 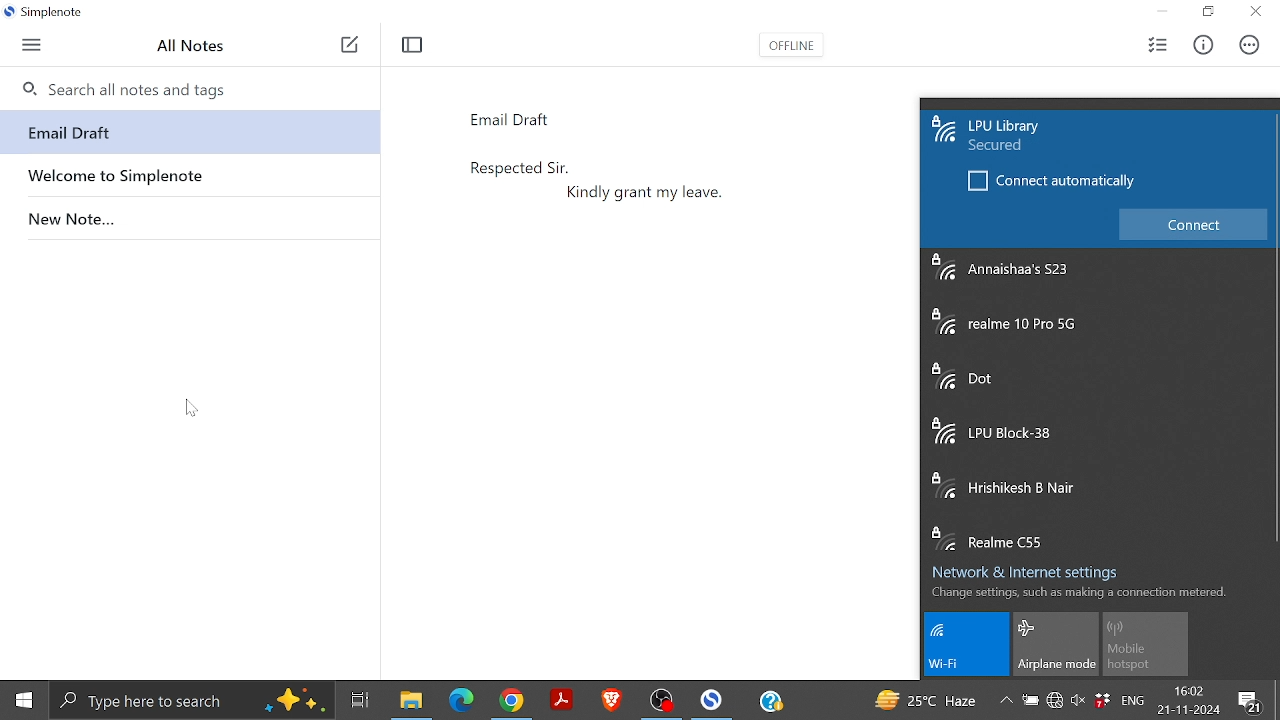 What do you see at coordinates (664, 385) in the screenshot?
I see `Respected Sir kindly grant my leave.` at bounding box center [664, 385].